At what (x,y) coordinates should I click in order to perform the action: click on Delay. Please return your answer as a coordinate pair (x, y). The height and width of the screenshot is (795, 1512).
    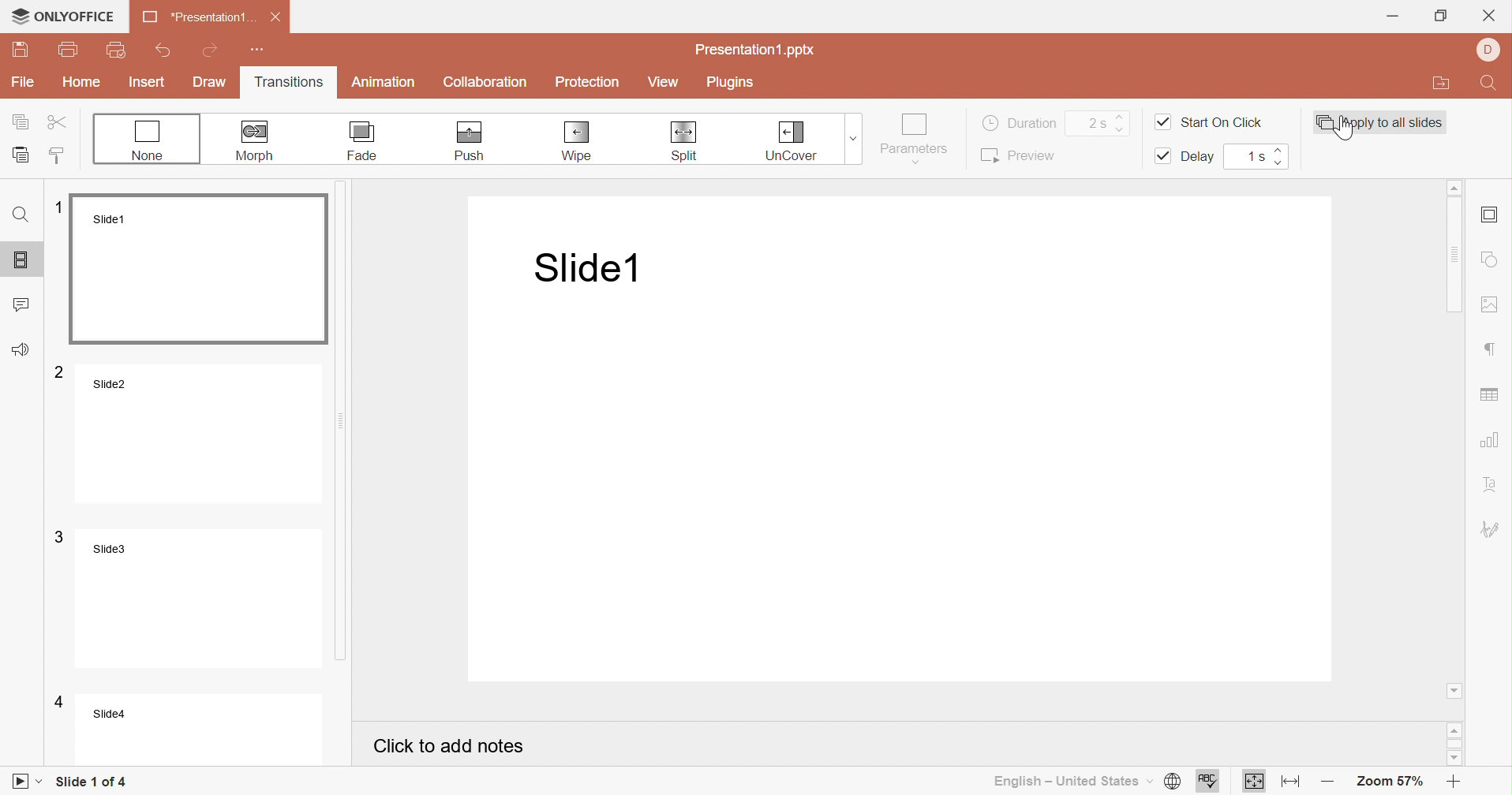
    Looking at the image, I should click on (1188, 157).